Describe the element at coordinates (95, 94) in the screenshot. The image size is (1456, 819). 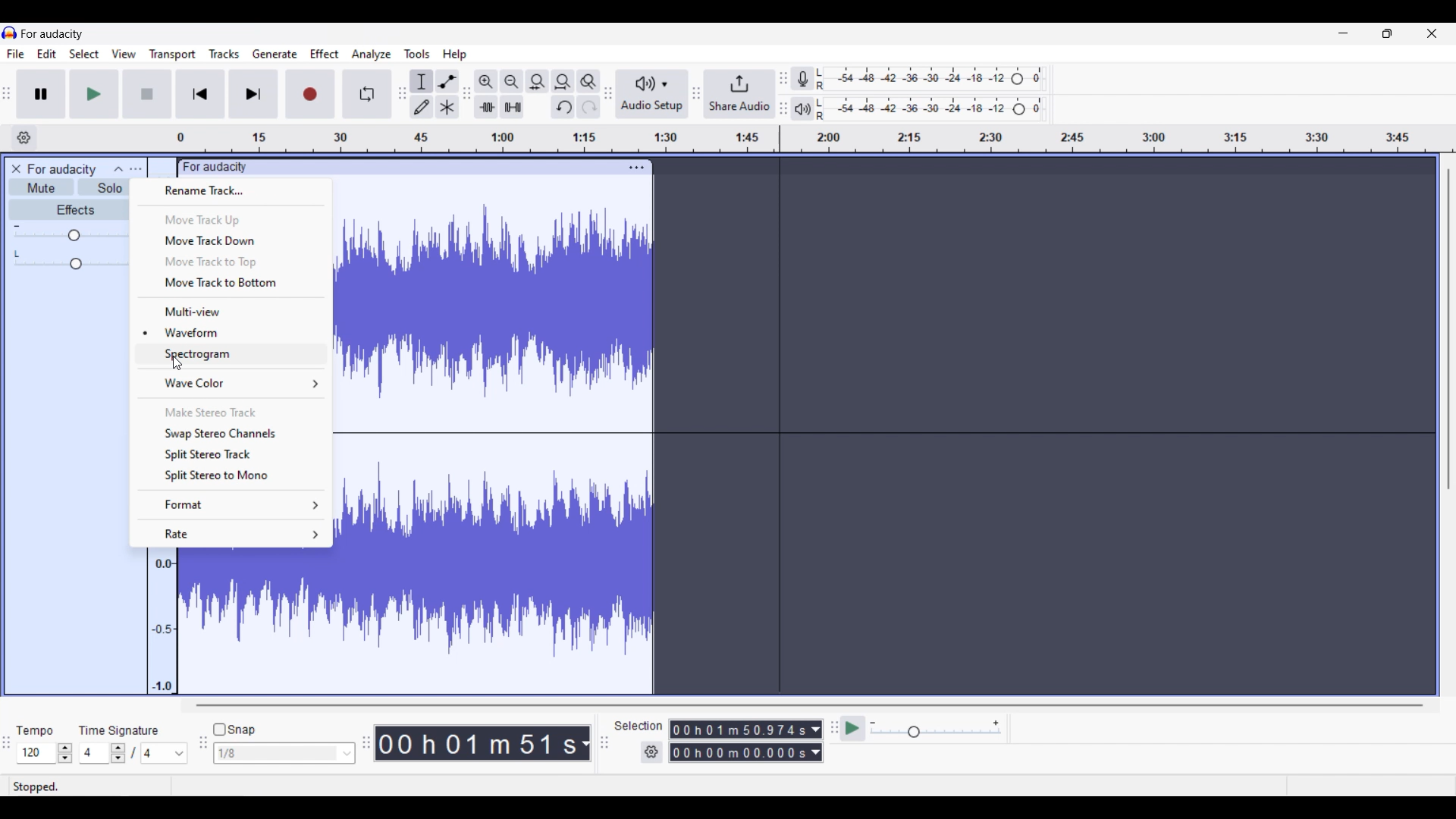
I see `Play/Play once` at that location.